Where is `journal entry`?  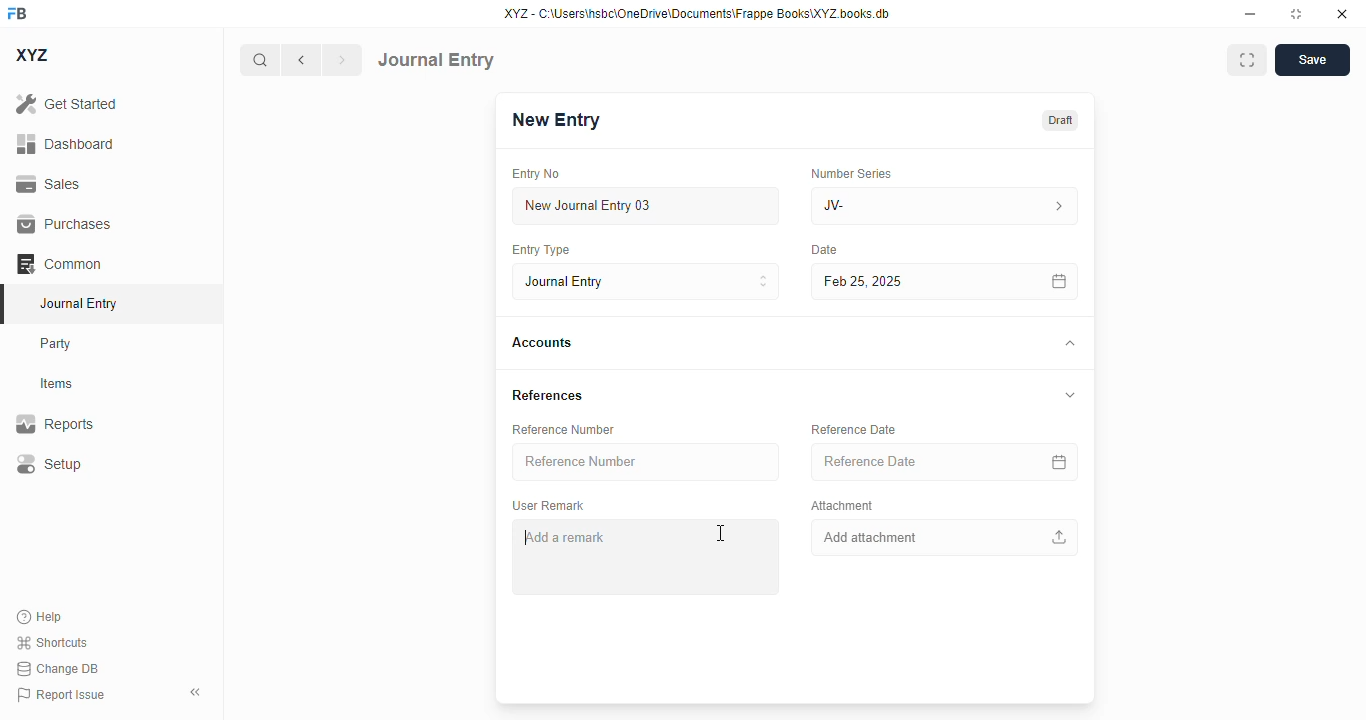 journal entry is located at coordinates (77, 303).